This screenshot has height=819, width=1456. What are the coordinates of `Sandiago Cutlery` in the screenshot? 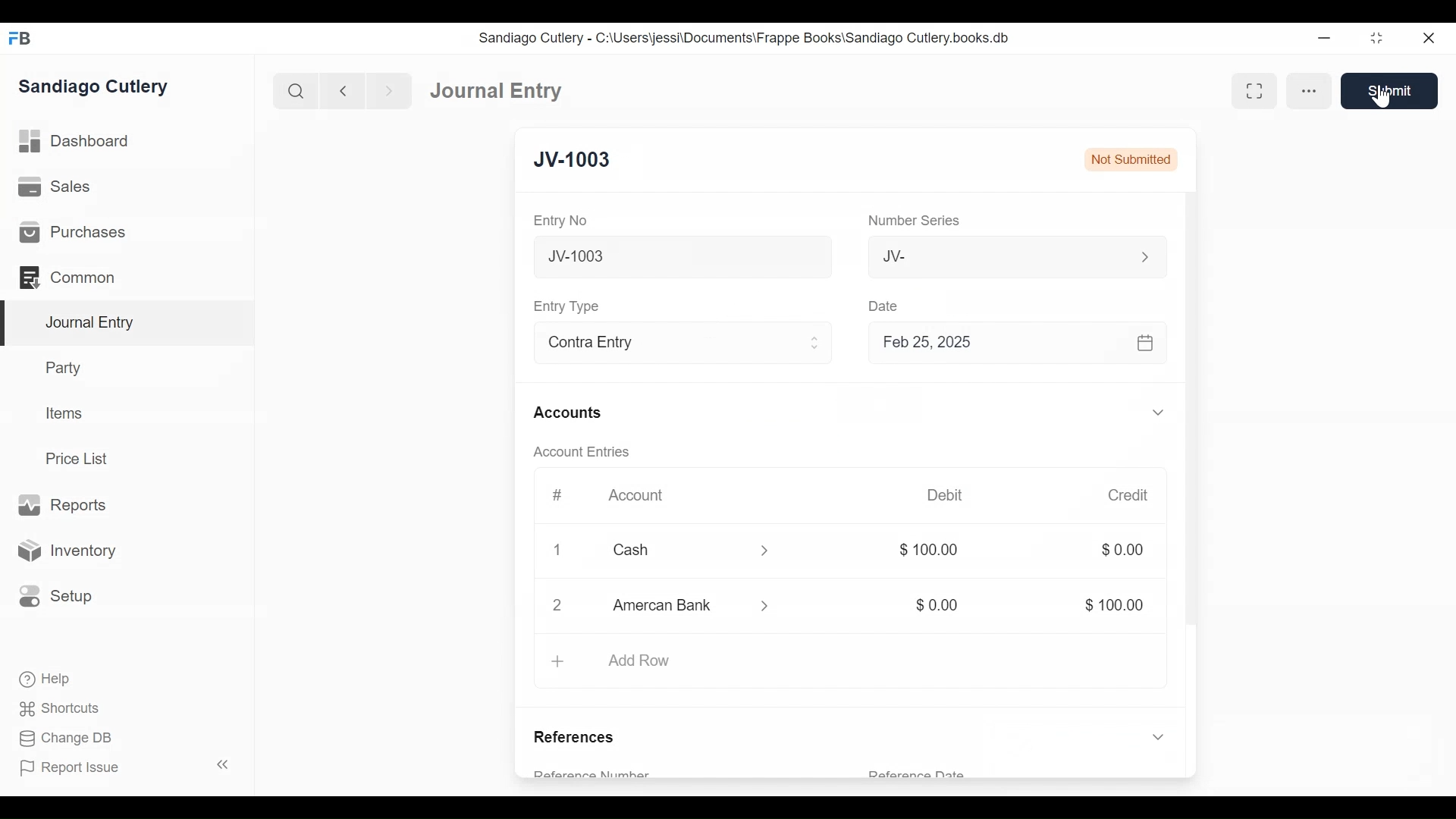 It's located at (94, 87).